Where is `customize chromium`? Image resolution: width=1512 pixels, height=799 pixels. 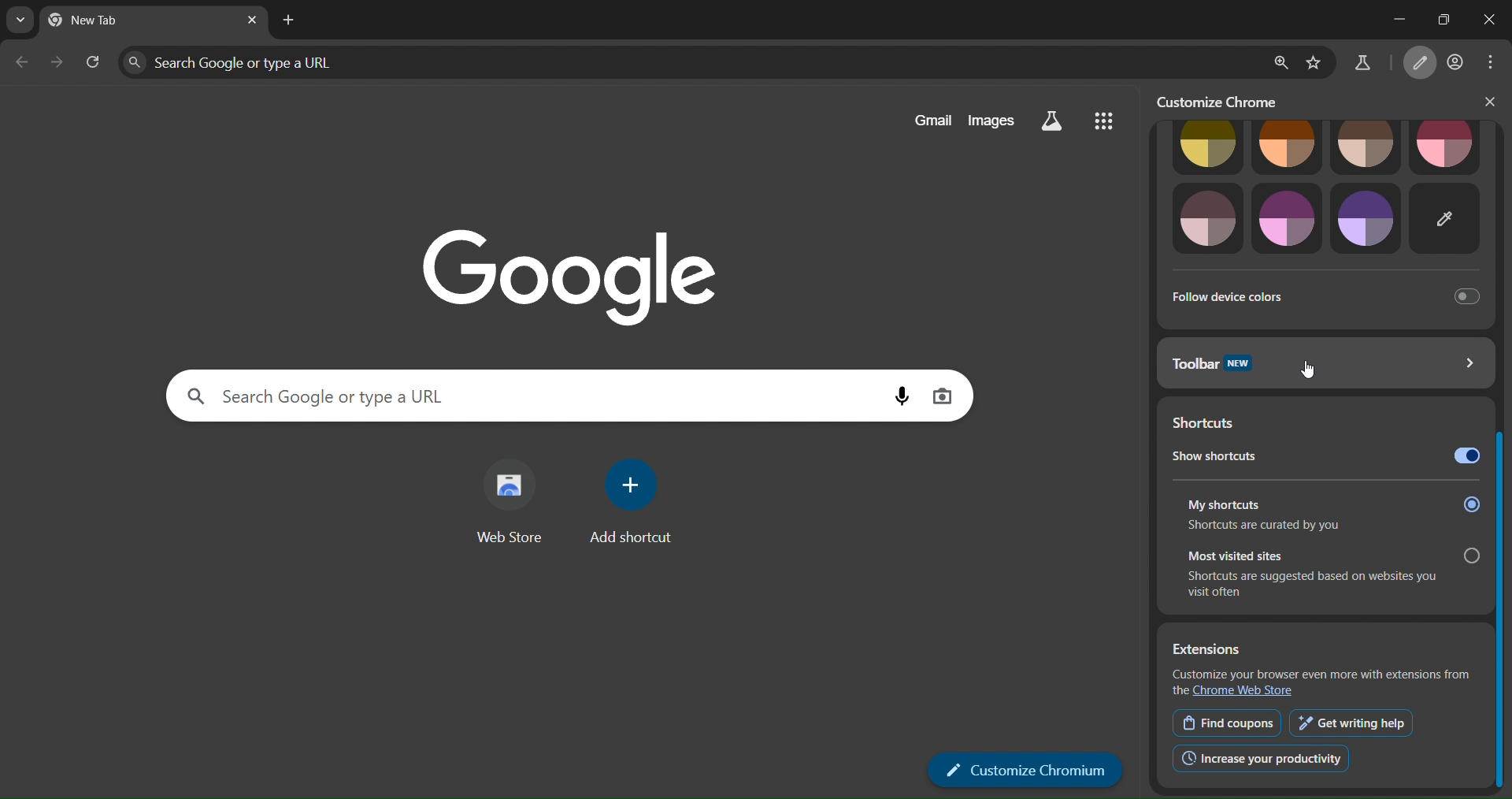
customize chromium is located at coordinates (1421, 62).